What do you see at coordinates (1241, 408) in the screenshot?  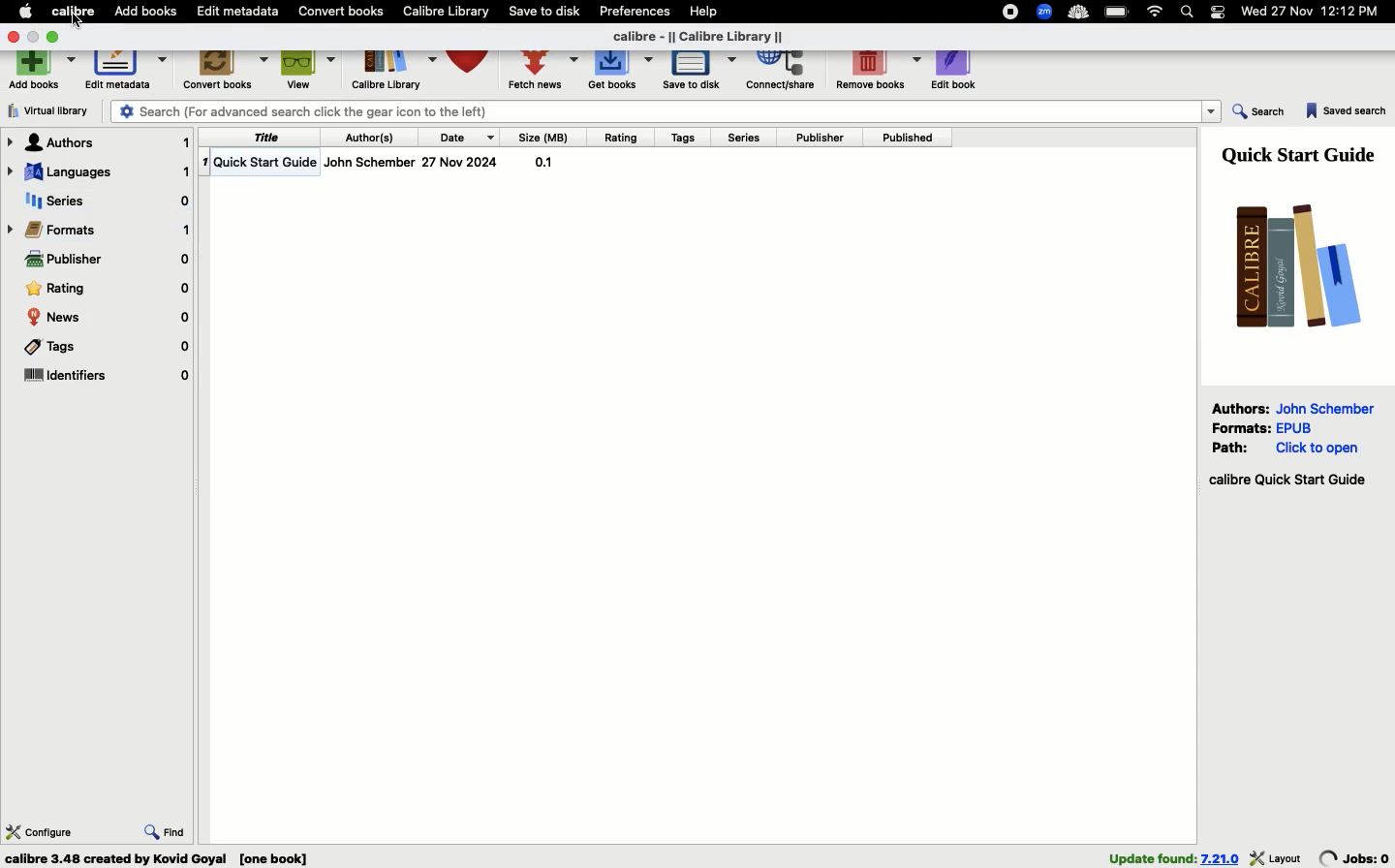 I see `Authors` at bounding box center [1241, 408].